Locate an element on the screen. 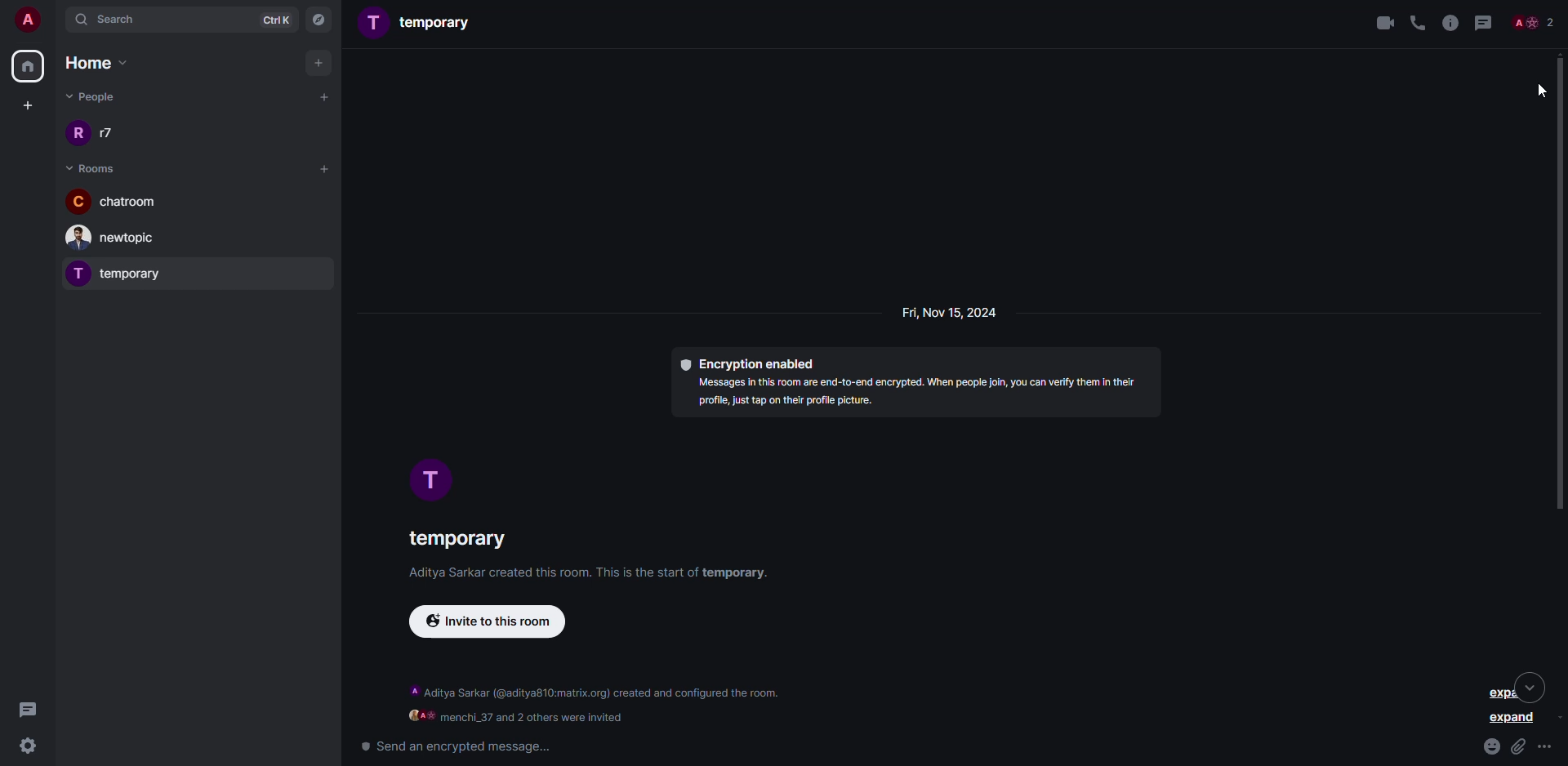  expand is located at coordinates (1507, 688).